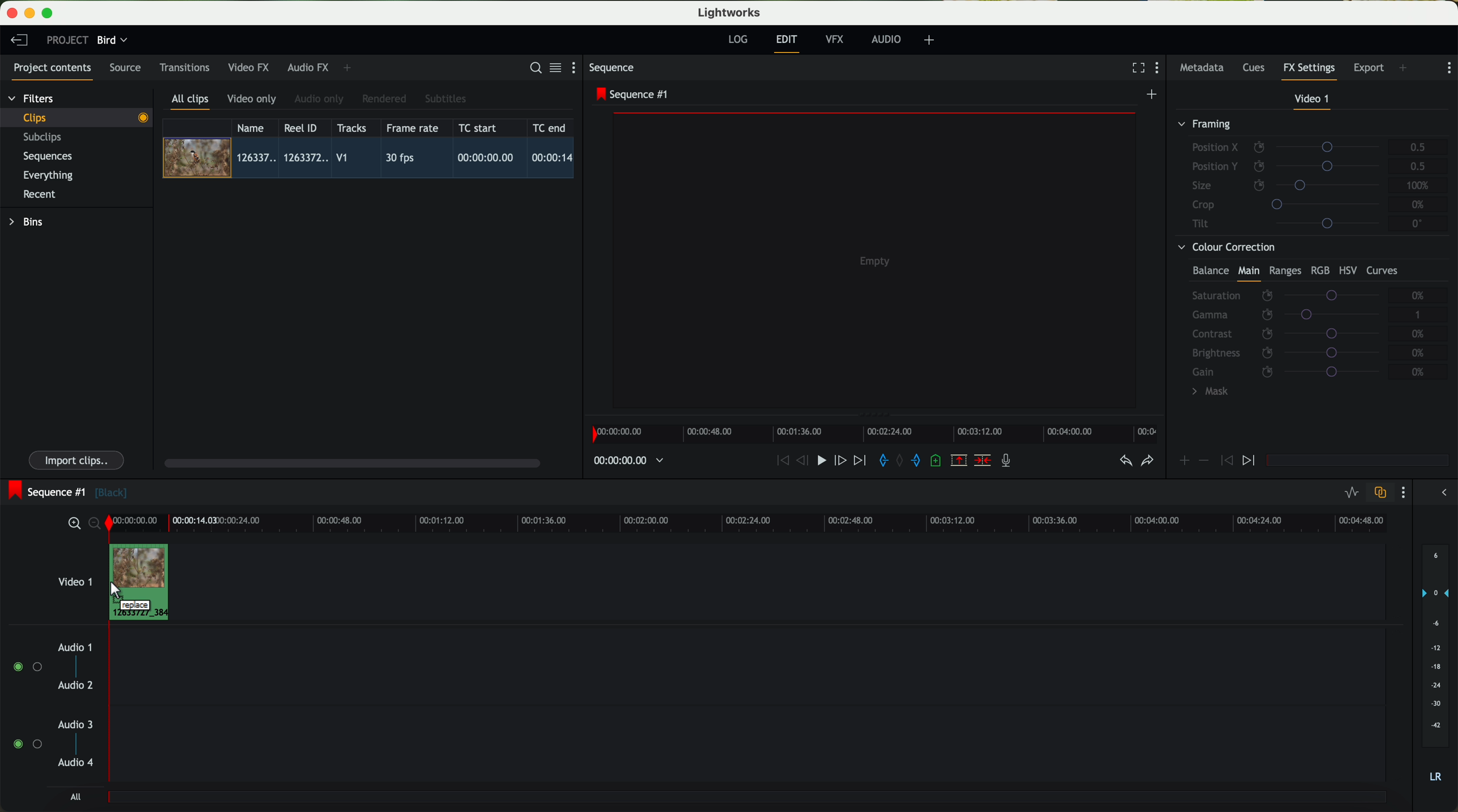 This screenshot has height=812, width=1458. I want to click on 0%, so click(1420, 205).